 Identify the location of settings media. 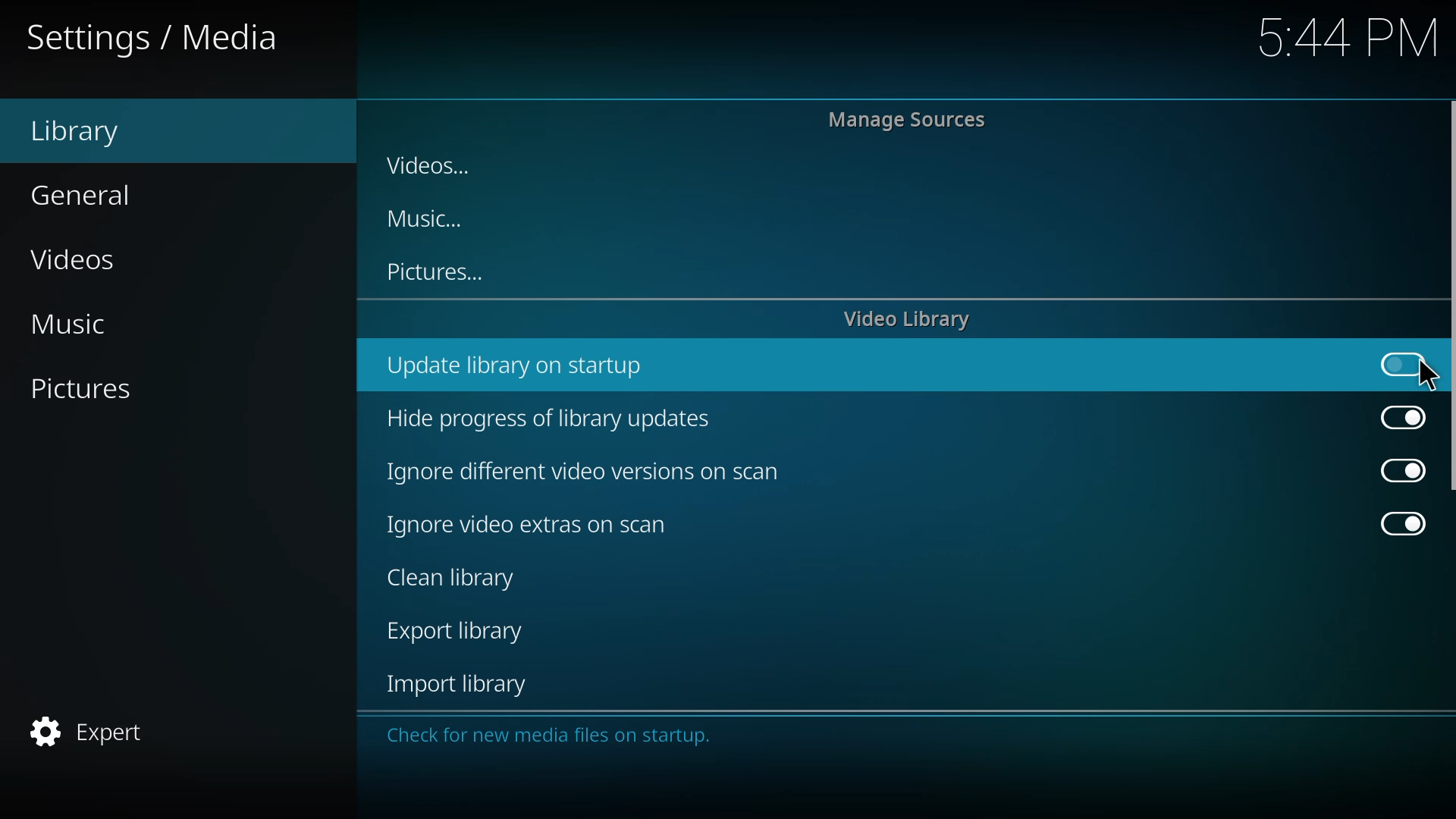
(159, 37).